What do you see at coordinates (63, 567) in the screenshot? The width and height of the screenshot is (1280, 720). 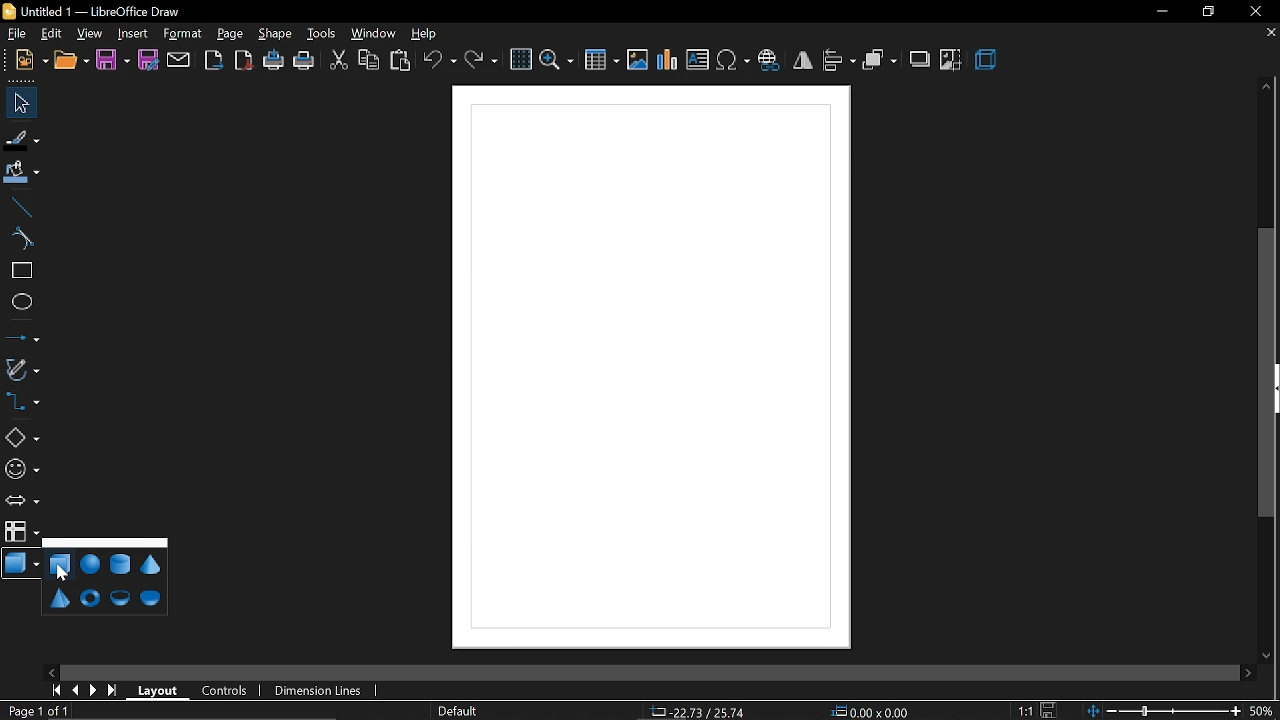 I see `cube` at bounding box center [63, 567].